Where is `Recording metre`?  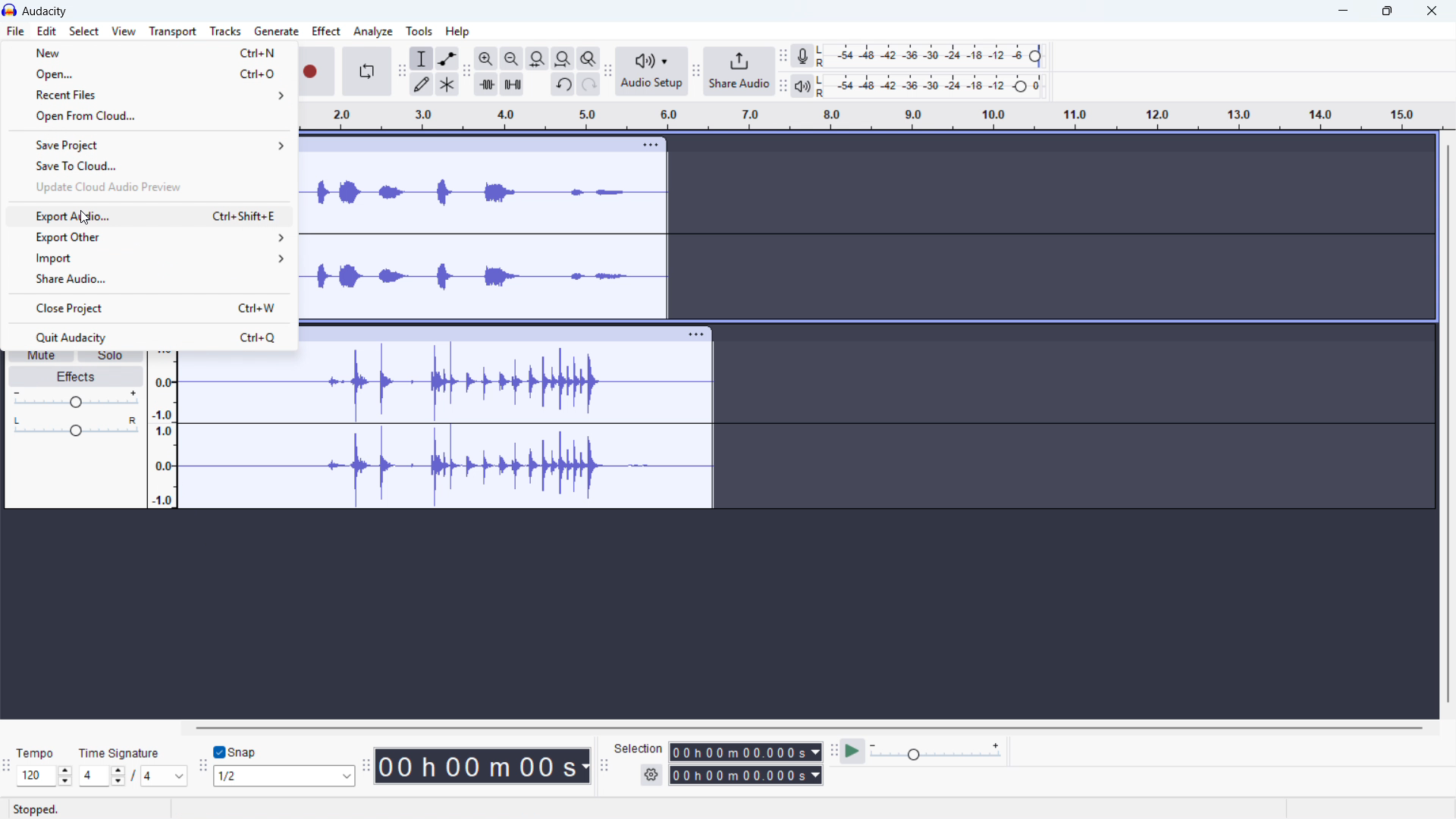 Recording metre is located at coordinates (802, 56).